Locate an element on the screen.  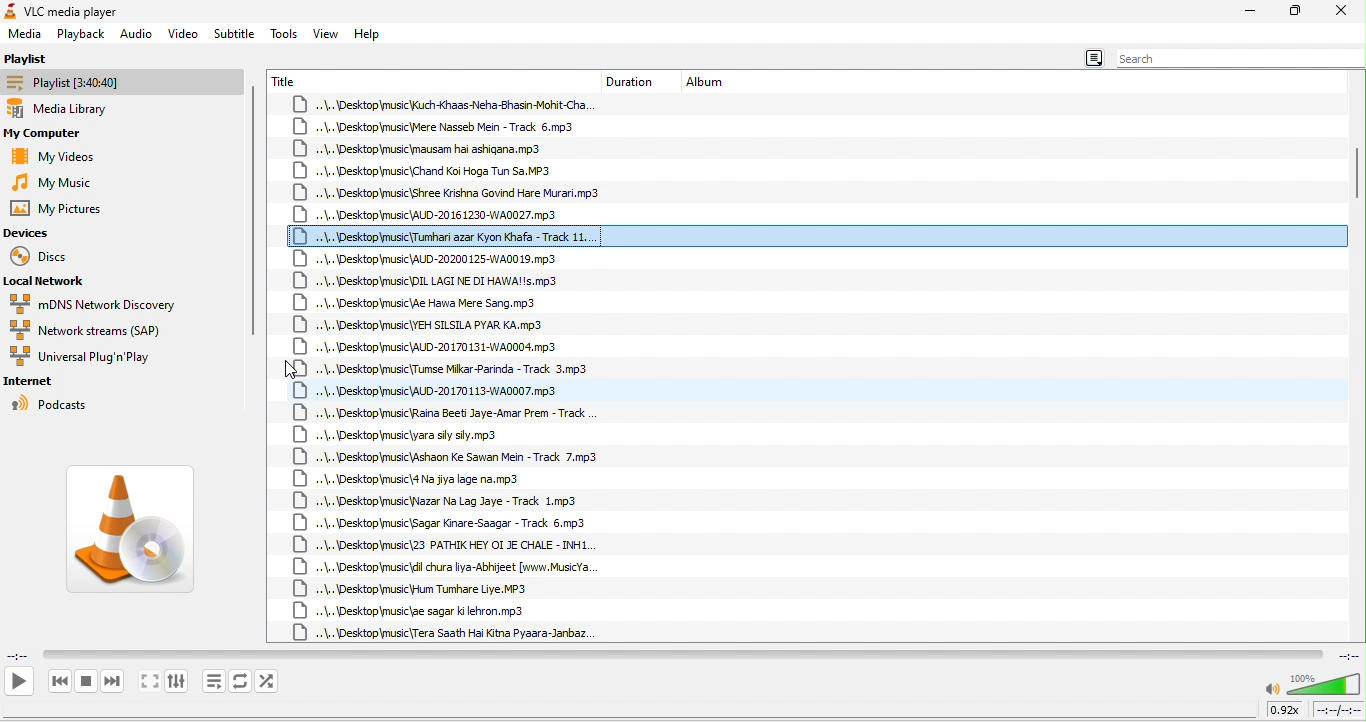
minimize is located at coordinates (1250, 11).